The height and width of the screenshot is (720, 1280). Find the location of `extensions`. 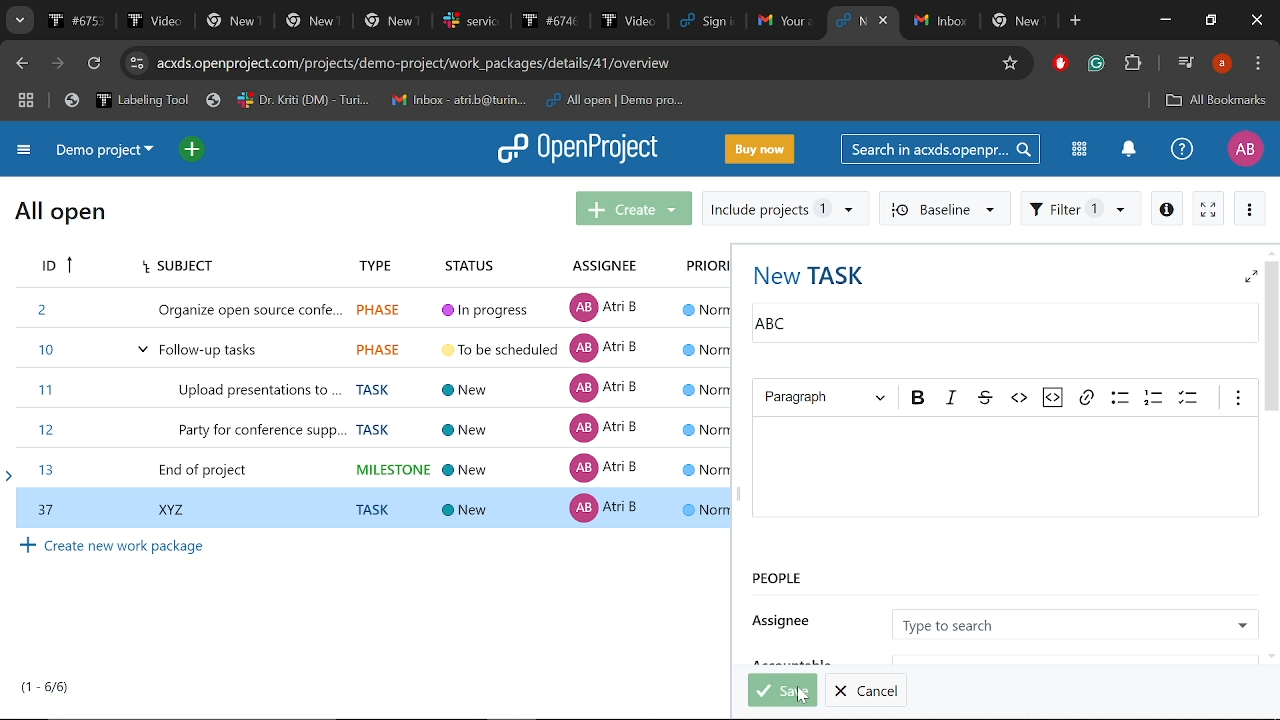

extensions is located at coordinates (1132, 65).